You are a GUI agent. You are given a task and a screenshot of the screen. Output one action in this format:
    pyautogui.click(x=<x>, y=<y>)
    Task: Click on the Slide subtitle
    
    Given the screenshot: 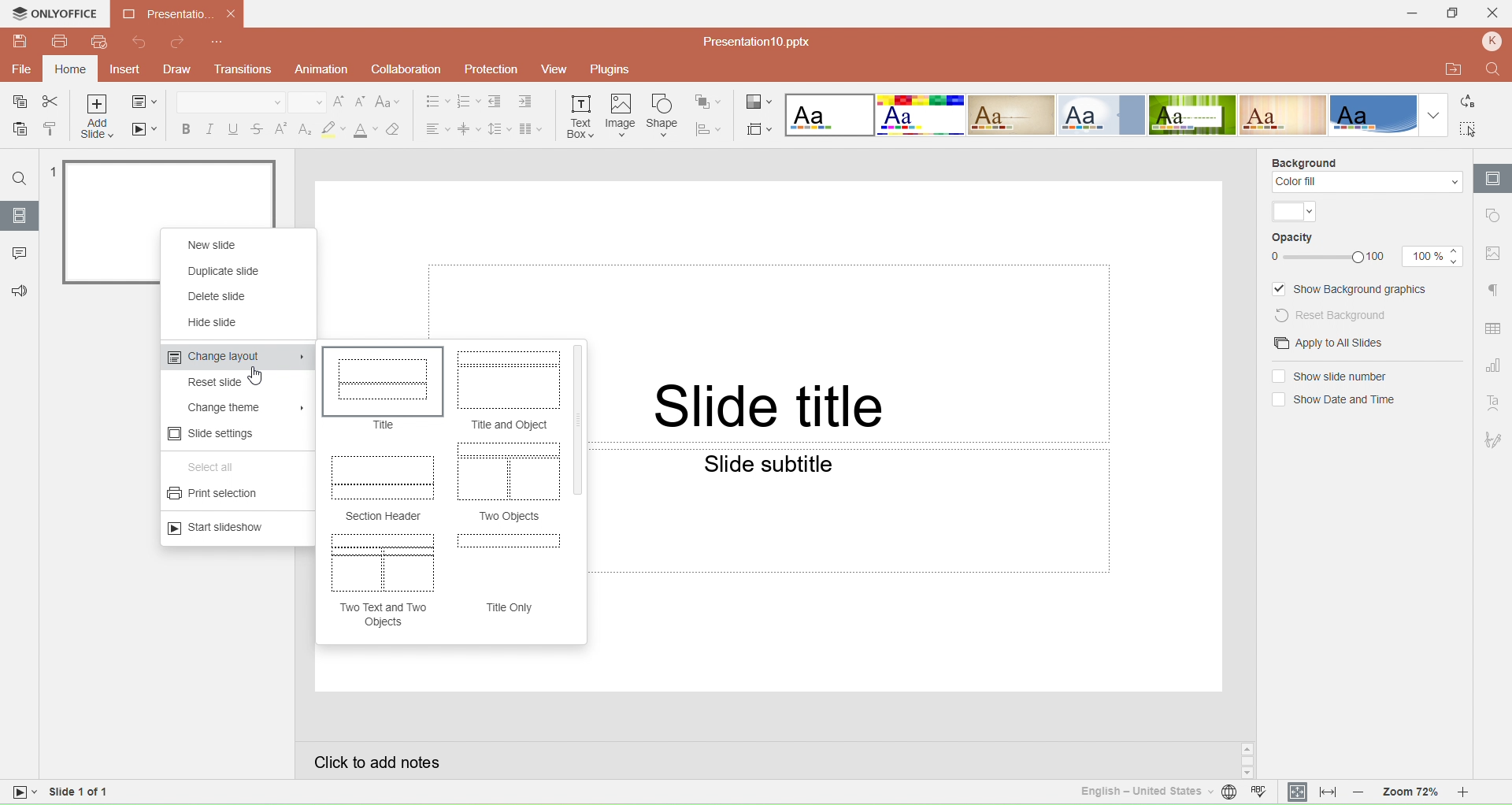 What is the action you would take?
    pyautogui.click(x=802, y=466)
    